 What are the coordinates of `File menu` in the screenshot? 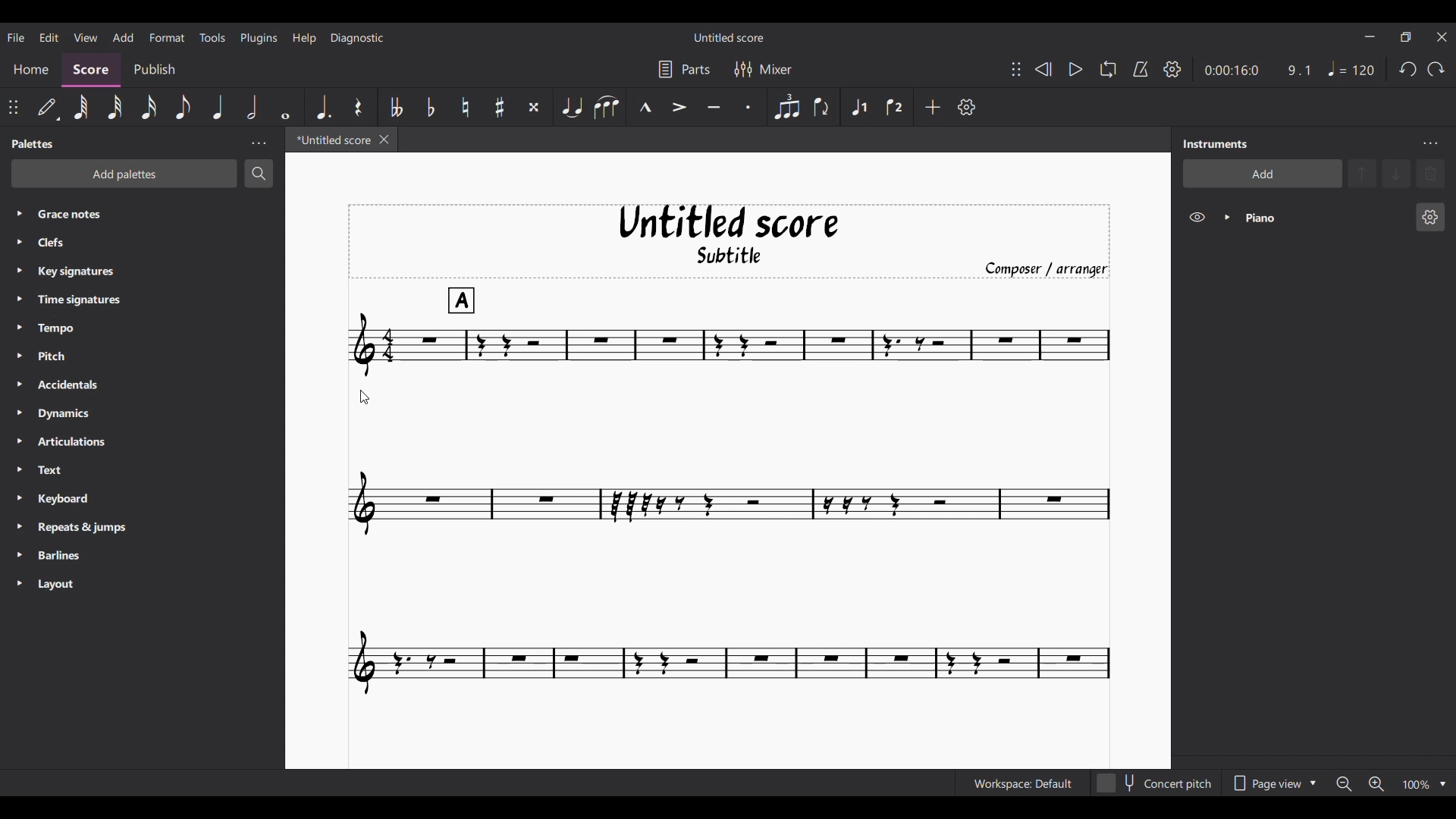 It's located at (15, 37).